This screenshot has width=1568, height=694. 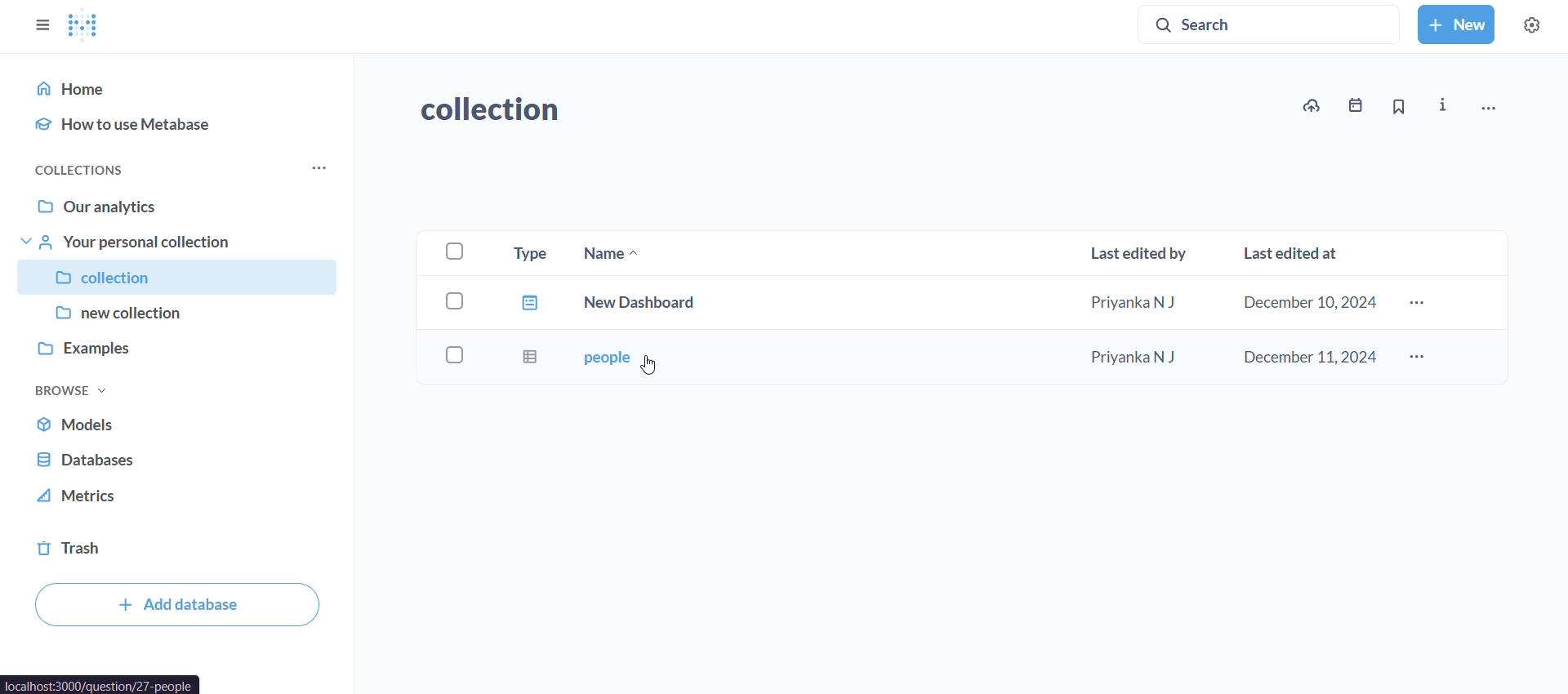 I want to click on more, so click(x=1419, y=358).